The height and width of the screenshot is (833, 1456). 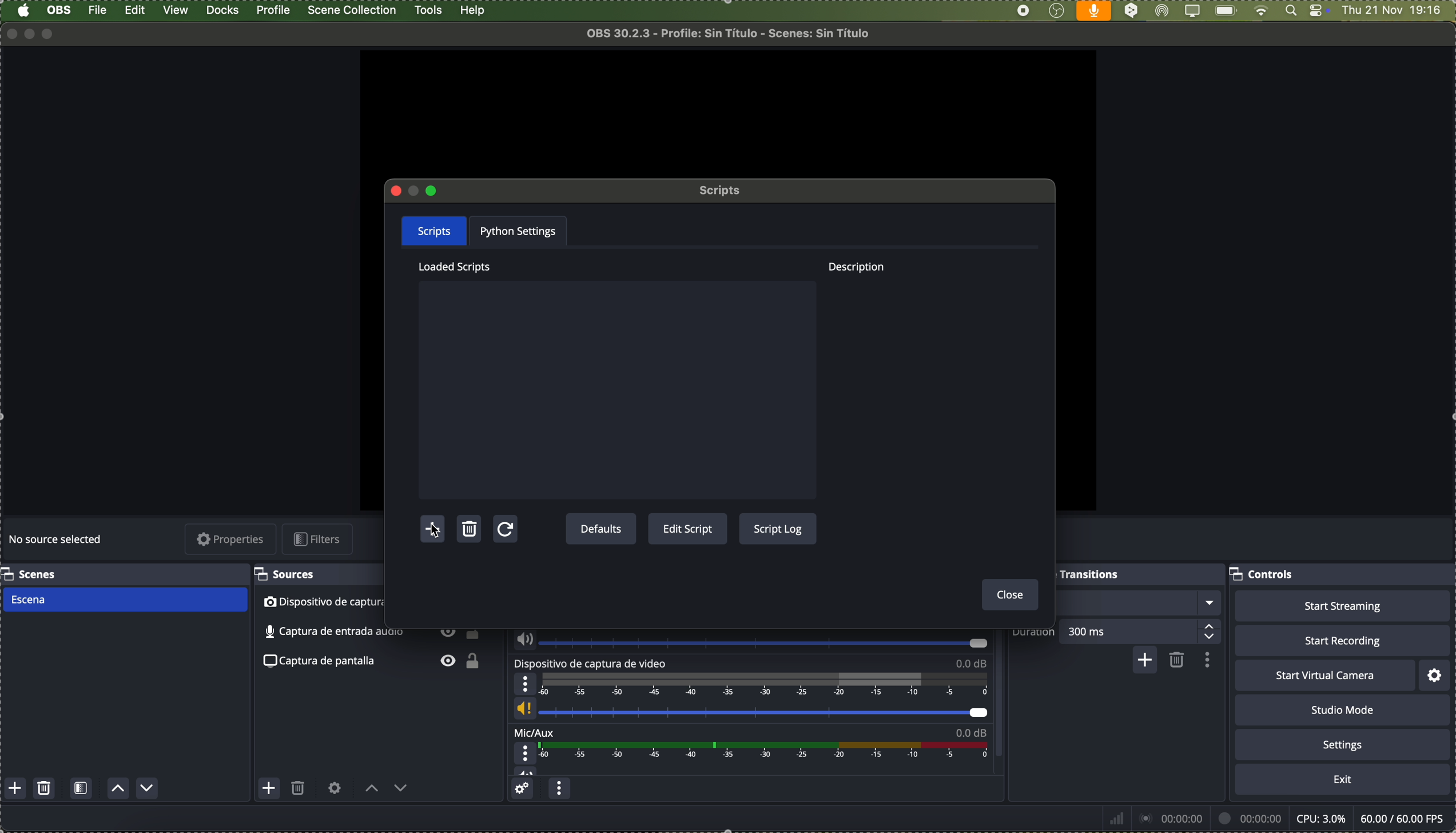 What do you see at coordinates (299, 791) in the screenshot?
I see `remove selected source` at bounding box center [299, 791].